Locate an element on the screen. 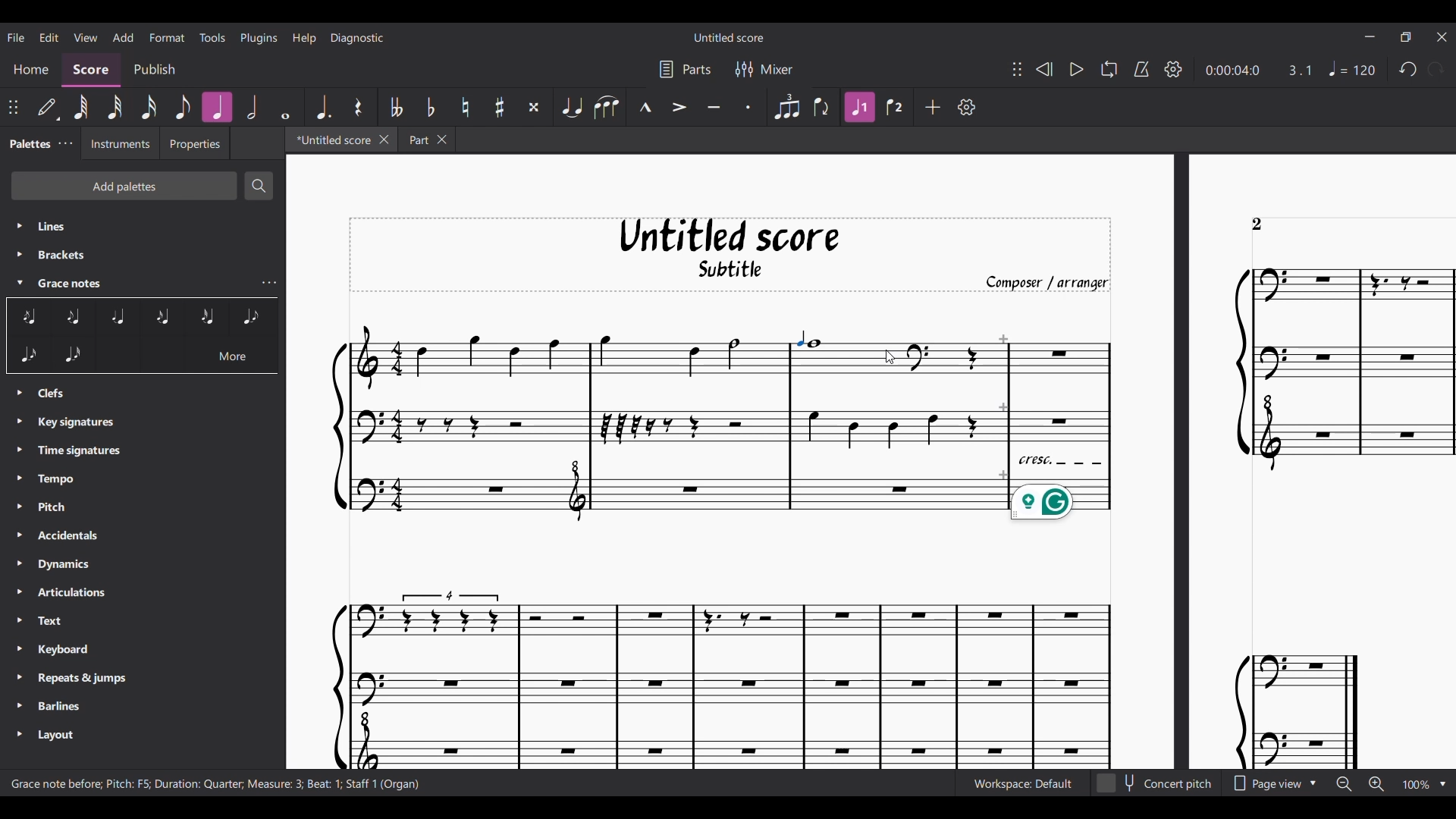 Image resolution: width=1456 pixels, height=819 pixels. Page number is located at coordinates (1257, 224).